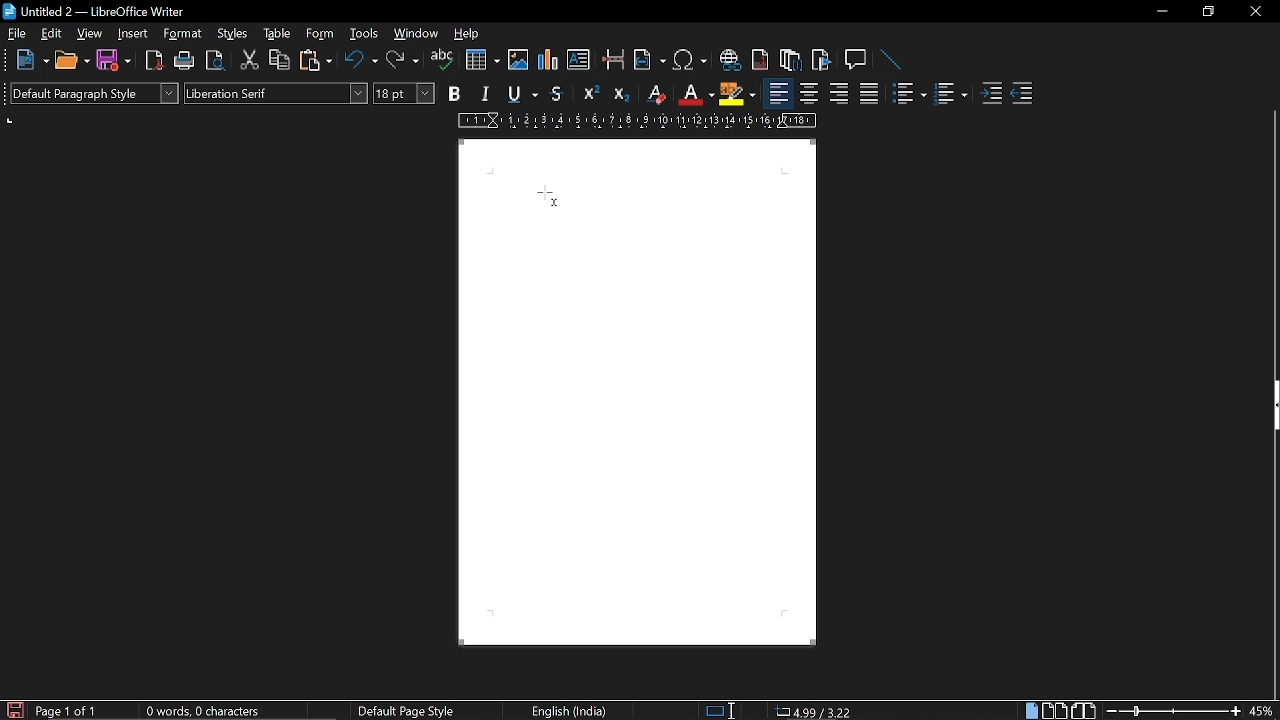  Describe the element at coordinates (53, 34) in the screenshot. I see `edit` at that location.